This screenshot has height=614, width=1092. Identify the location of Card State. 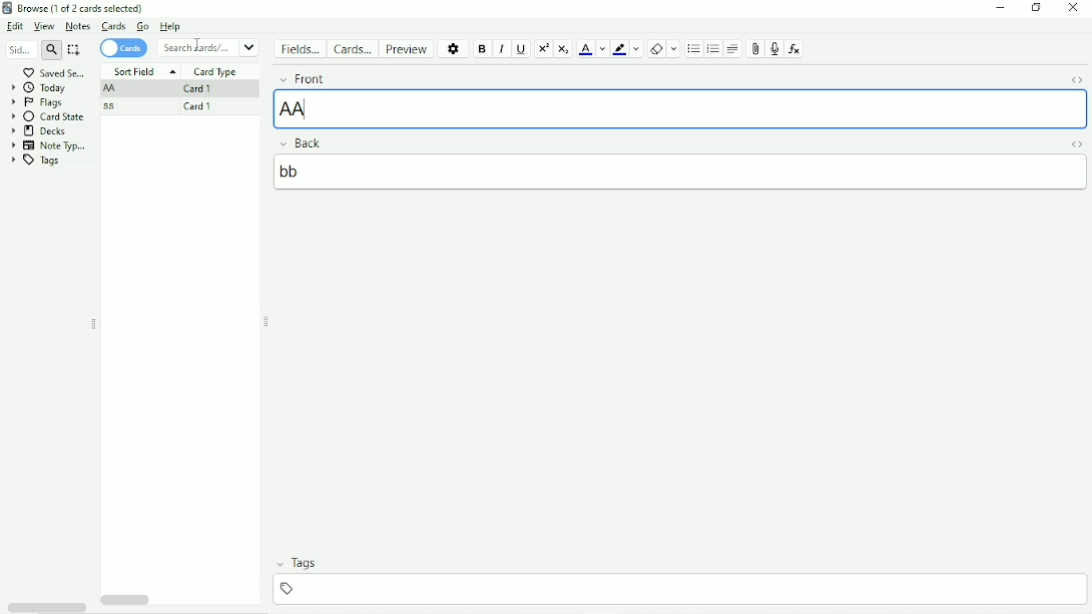
(50, 117).